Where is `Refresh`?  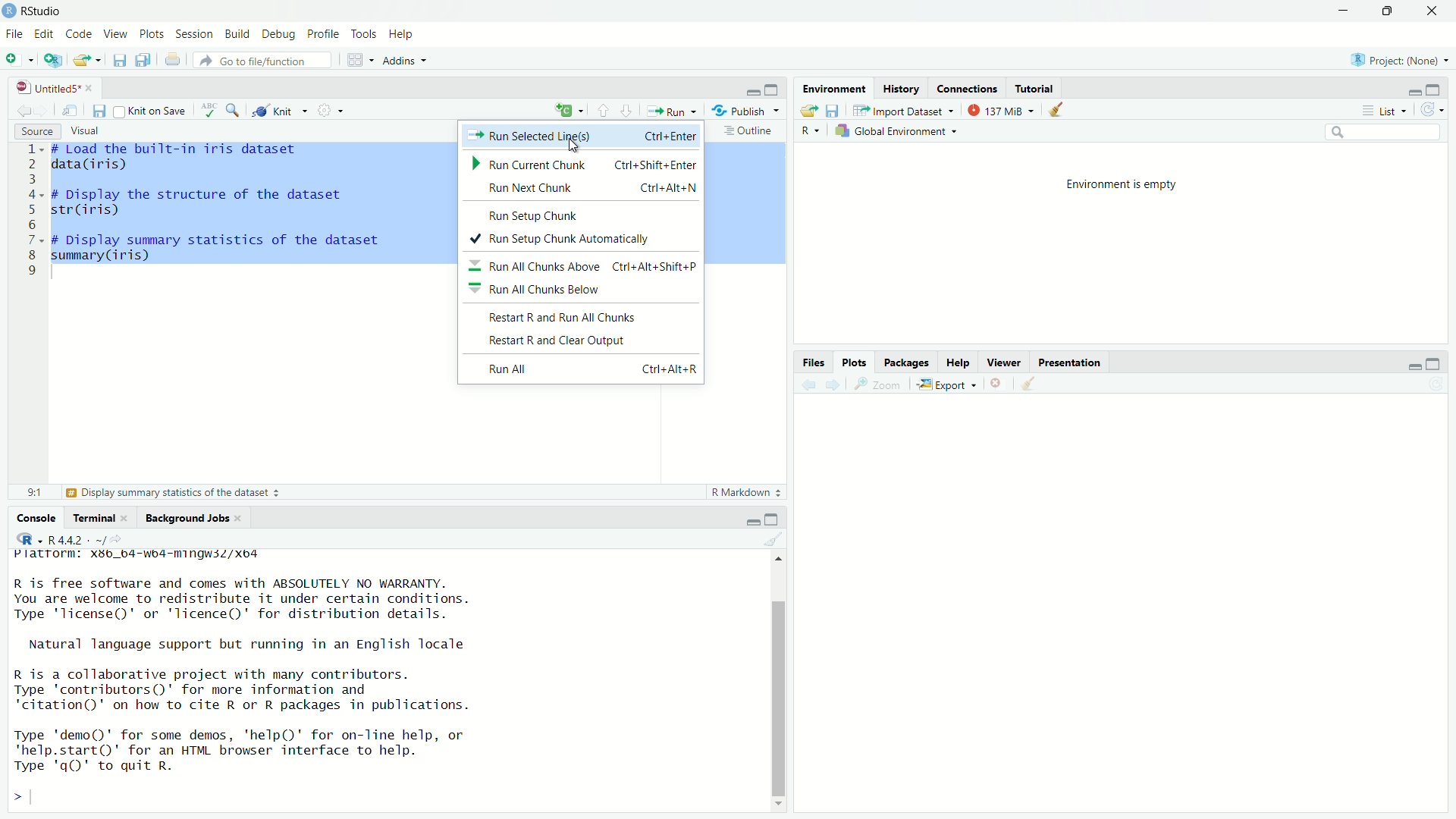
Refresh is located at coordinates (1431, 110).